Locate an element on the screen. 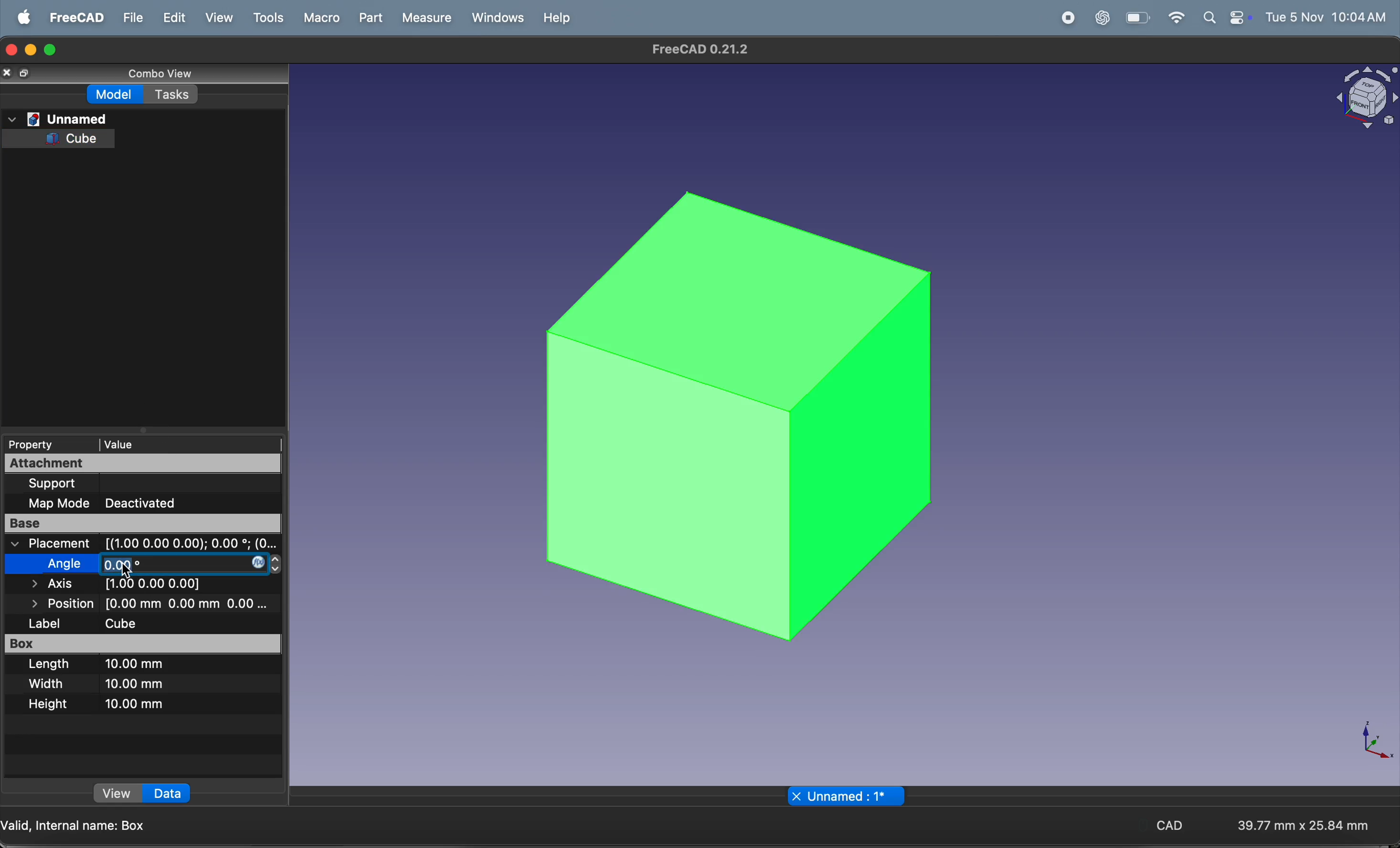  cube is located at coordinates (186, 624).